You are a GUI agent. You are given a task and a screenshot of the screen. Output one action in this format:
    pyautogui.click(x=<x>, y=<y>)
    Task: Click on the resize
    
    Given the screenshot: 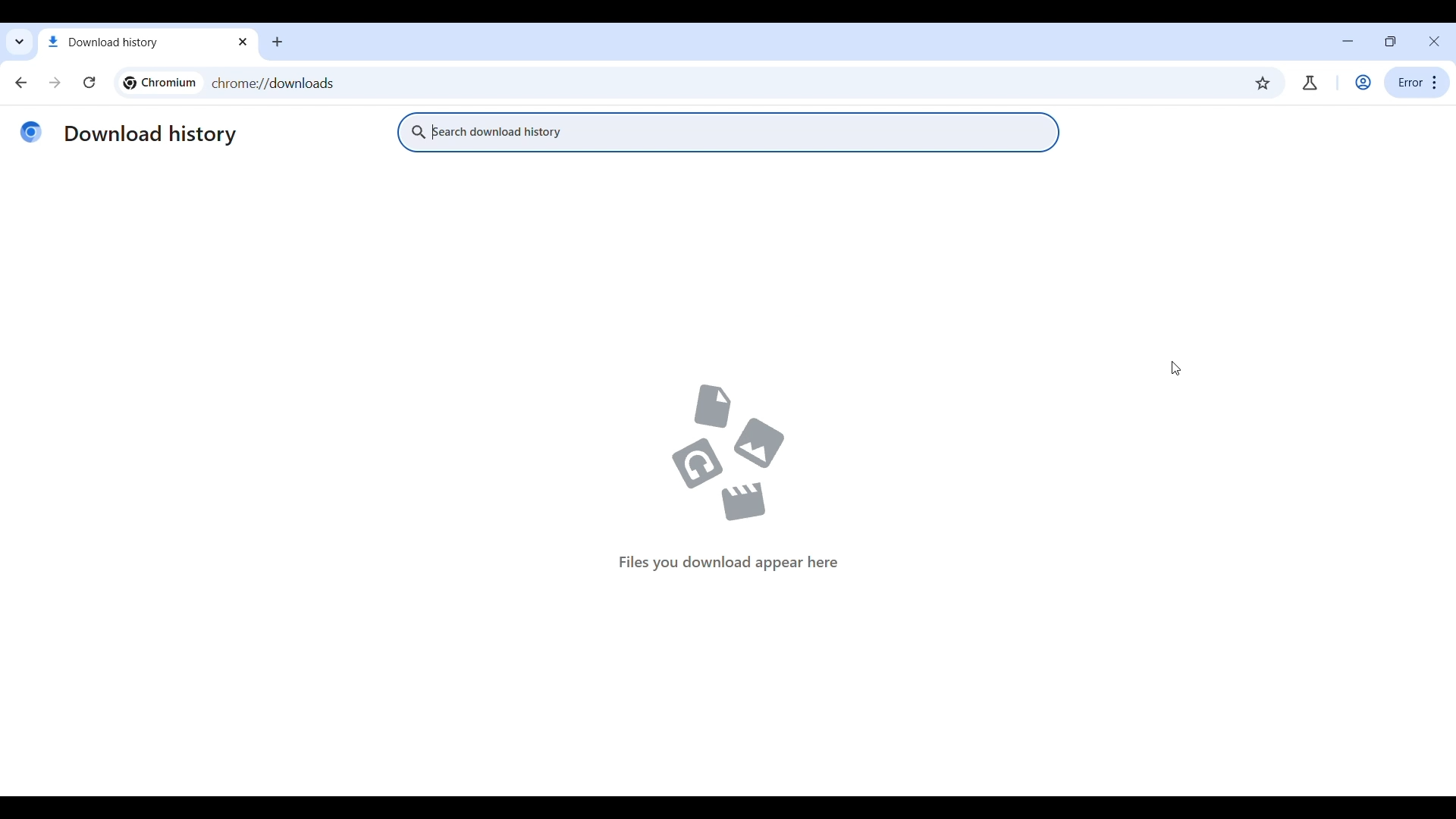 What is the action you would take?
    pyautogui.click(x=1391, y=41)
    